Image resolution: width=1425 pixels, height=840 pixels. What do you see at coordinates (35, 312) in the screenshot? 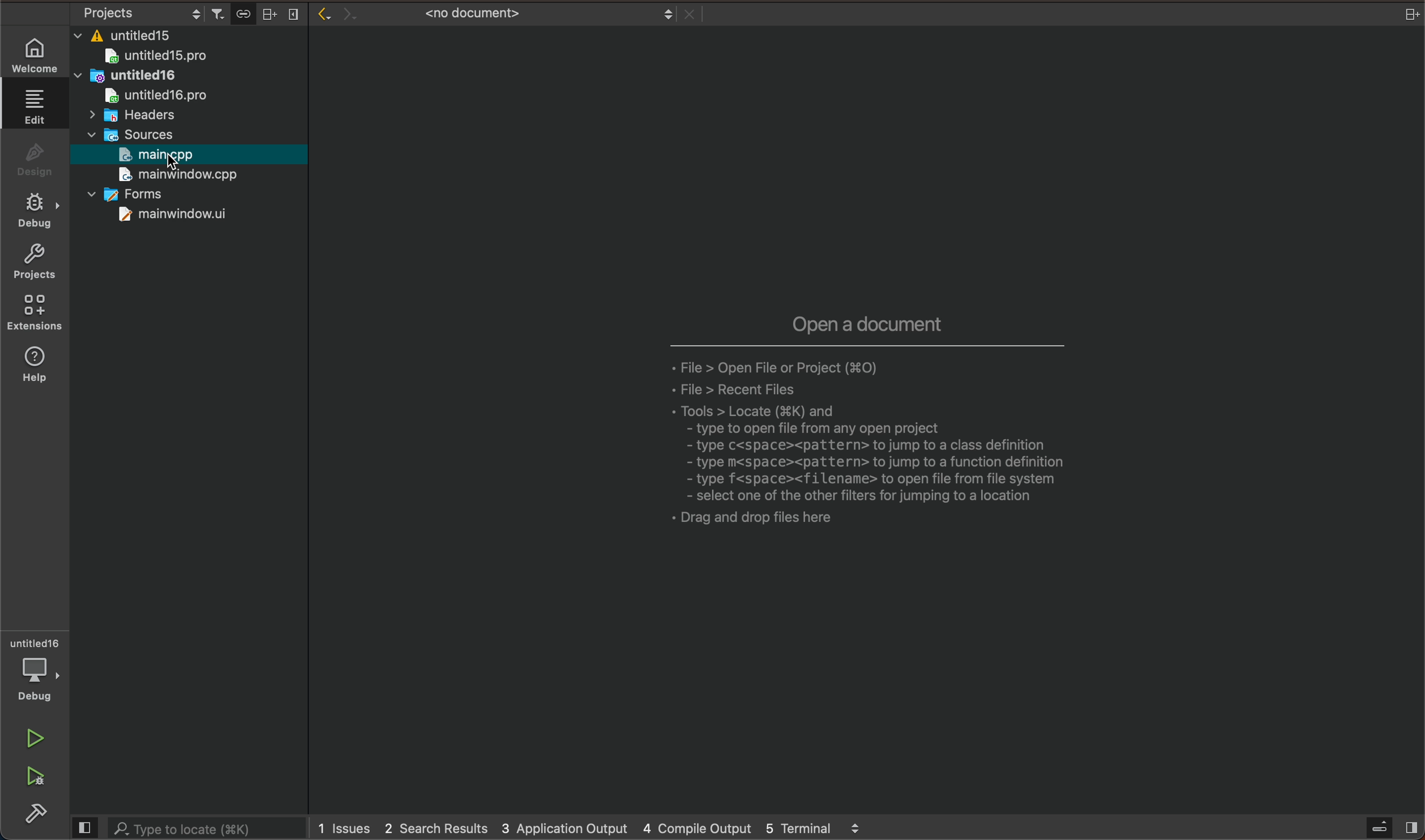
I see `extensions` at bounding box center [35, 312].